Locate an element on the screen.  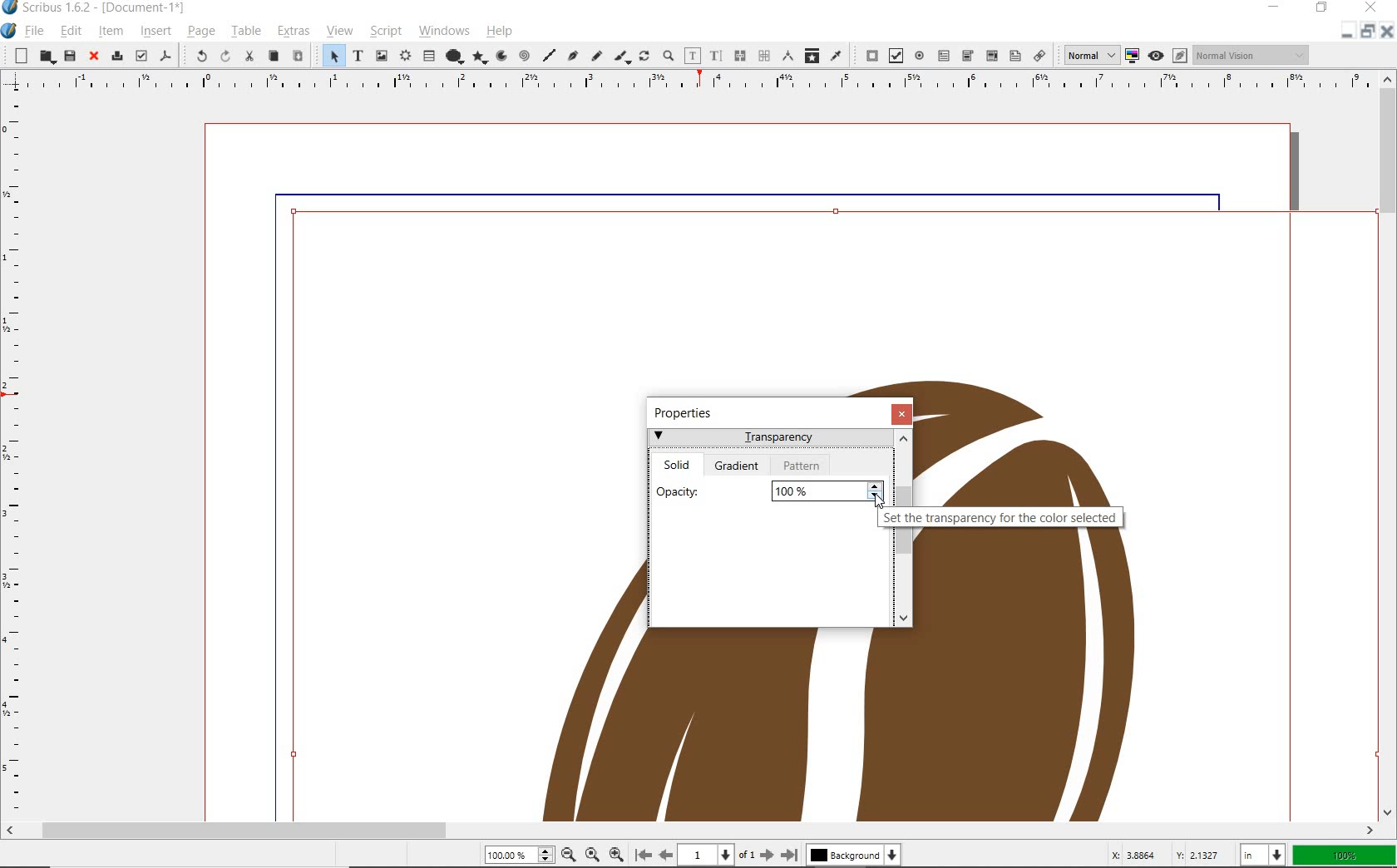
insert is located at coordinates (155, 32).